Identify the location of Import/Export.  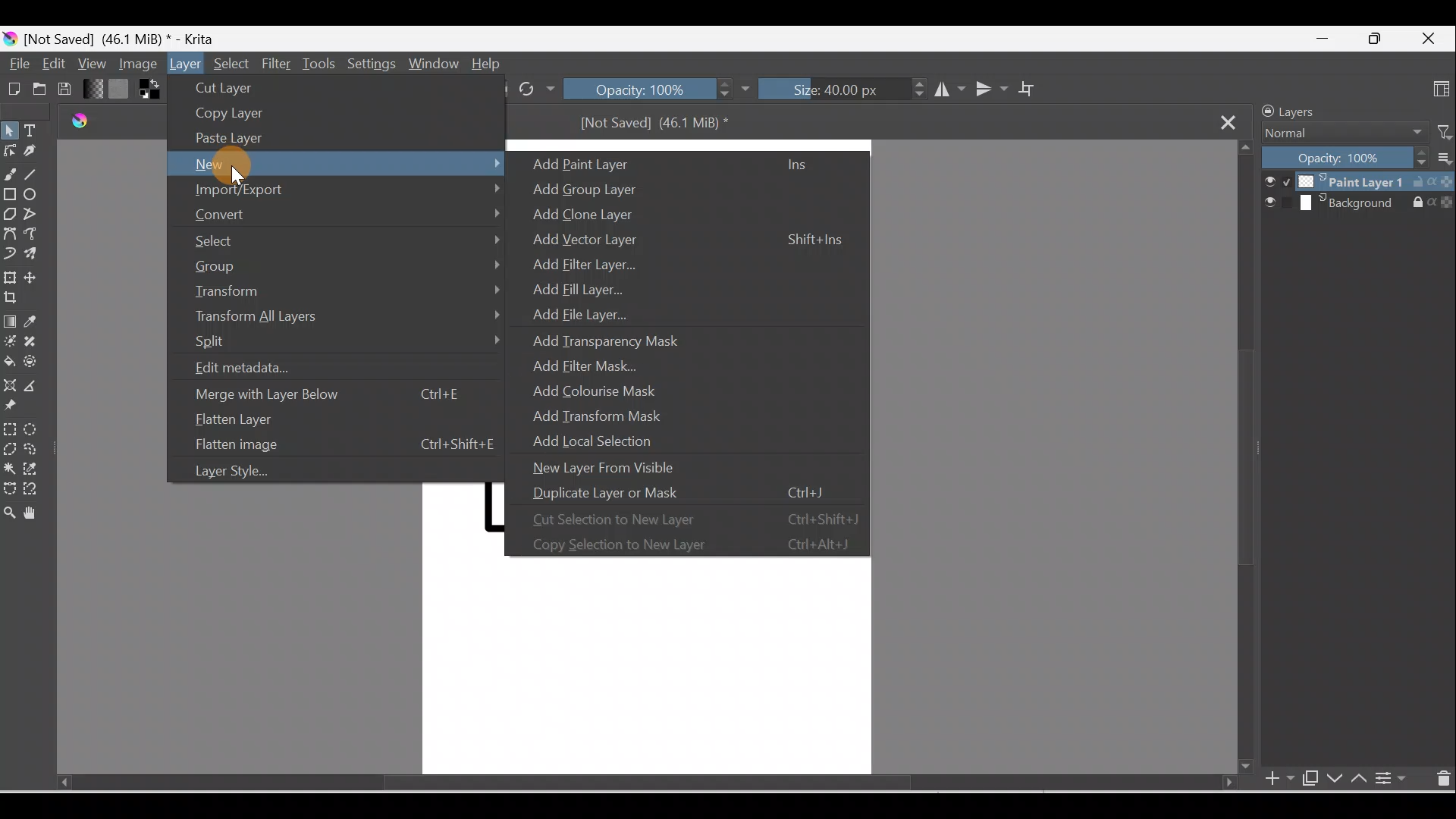
(336, 190).